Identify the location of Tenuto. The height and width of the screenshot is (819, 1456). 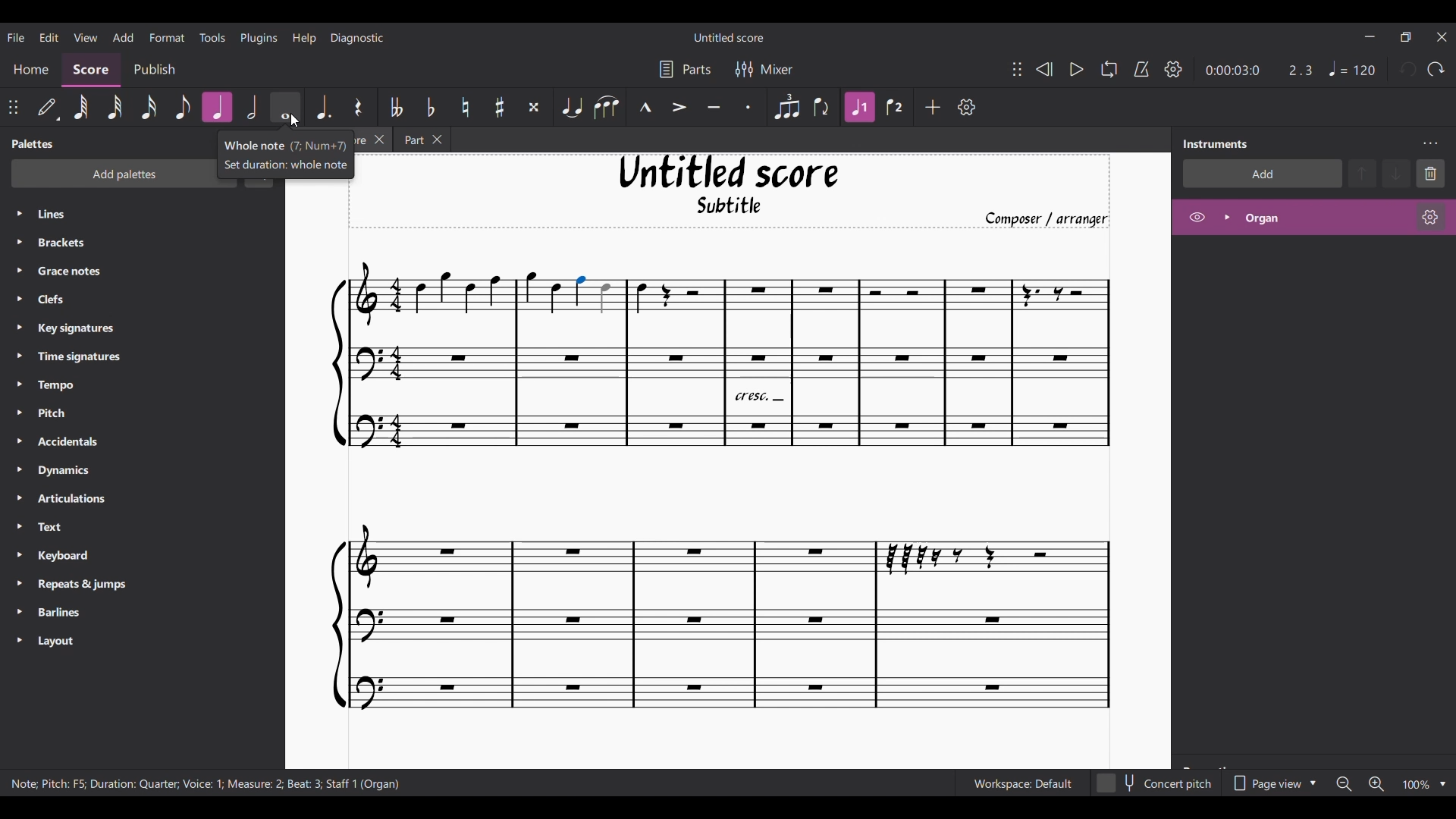
(713, 108).